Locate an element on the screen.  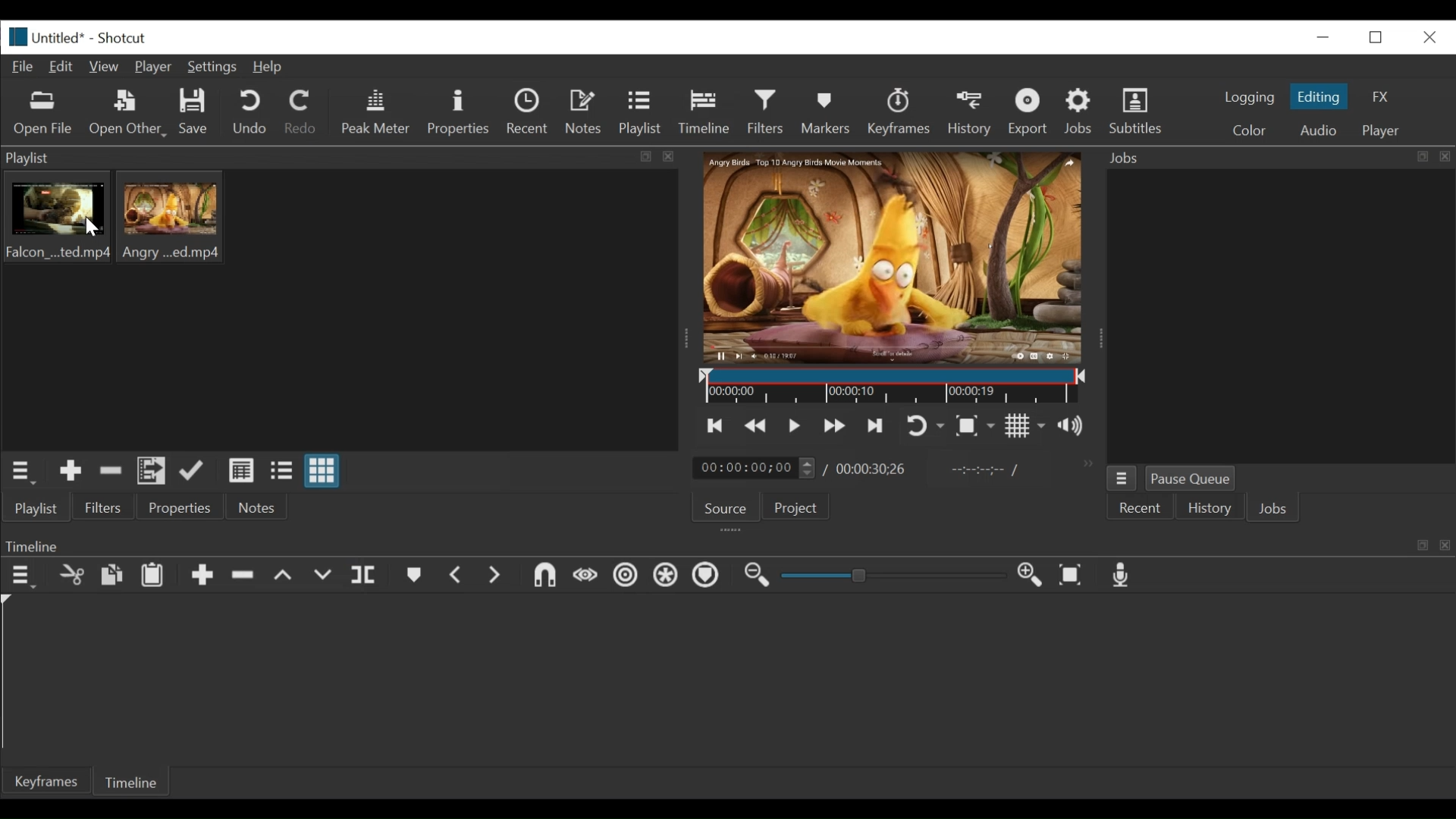
Audio is located at coordinates (1317, 130).